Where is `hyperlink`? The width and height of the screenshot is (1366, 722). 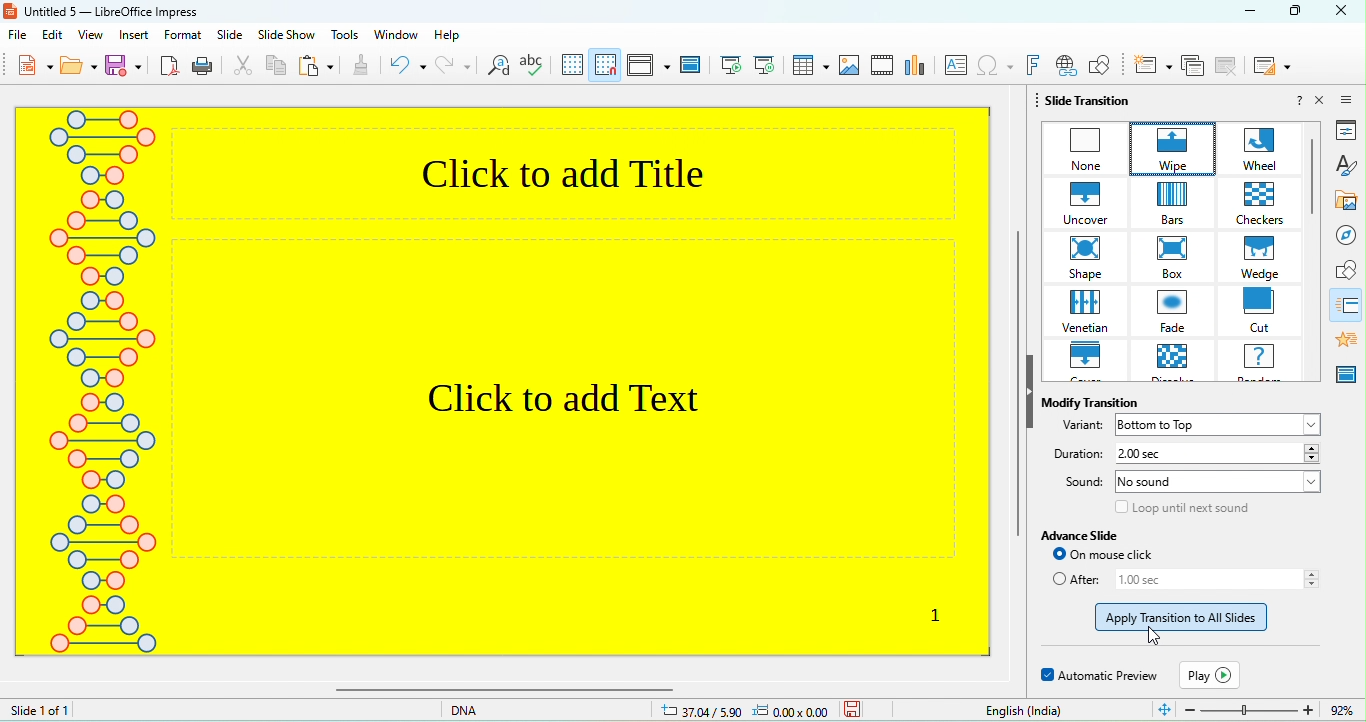 hyperlink is located at coordinates (1064, 68).